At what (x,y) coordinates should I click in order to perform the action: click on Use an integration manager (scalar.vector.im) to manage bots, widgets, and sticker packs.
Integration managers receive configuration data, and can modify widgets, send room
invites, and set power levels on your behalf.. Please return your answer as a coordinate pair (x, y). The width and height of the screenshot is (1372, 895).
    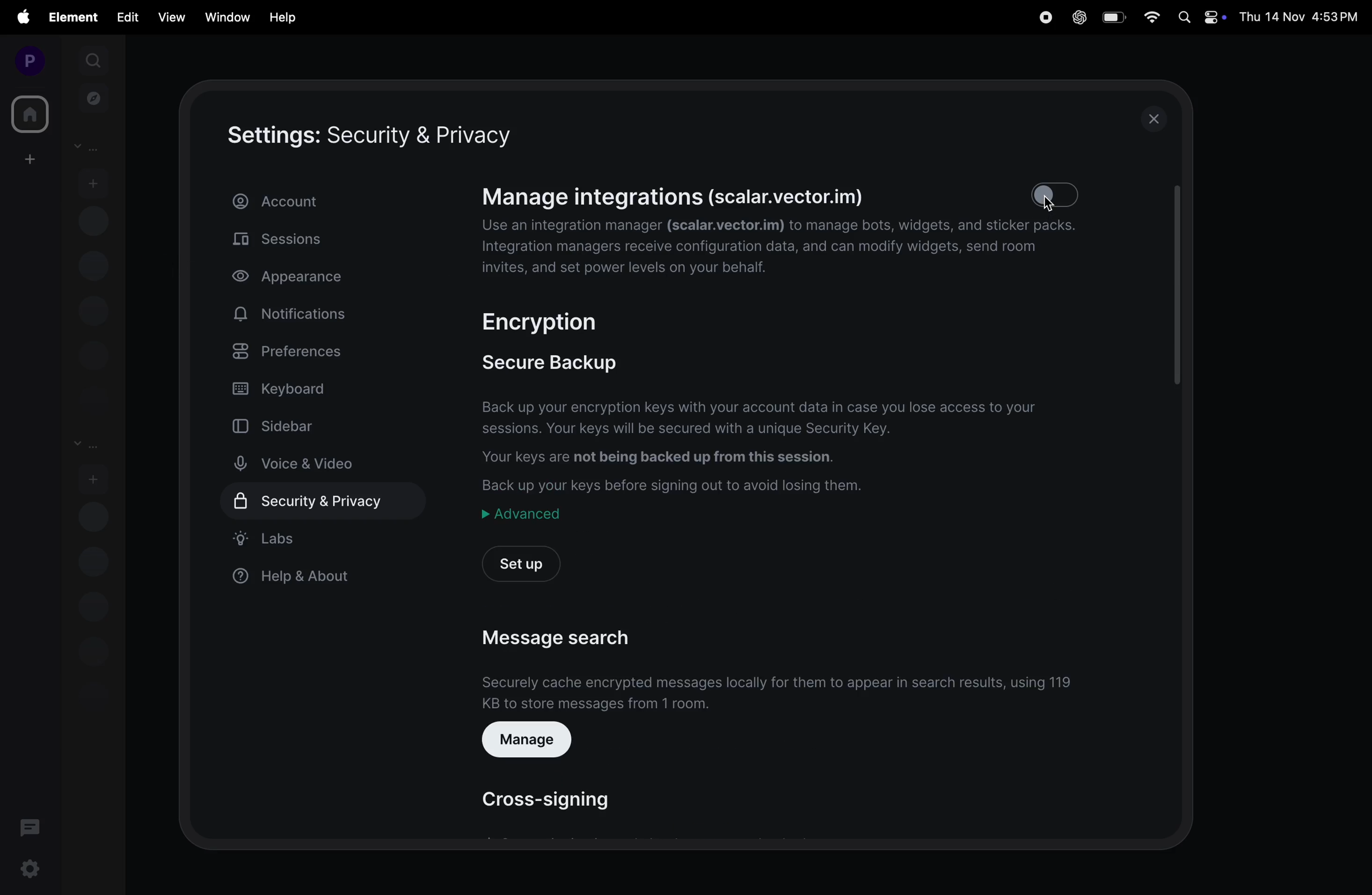
    Looking at the image, I should click on (778, 254).